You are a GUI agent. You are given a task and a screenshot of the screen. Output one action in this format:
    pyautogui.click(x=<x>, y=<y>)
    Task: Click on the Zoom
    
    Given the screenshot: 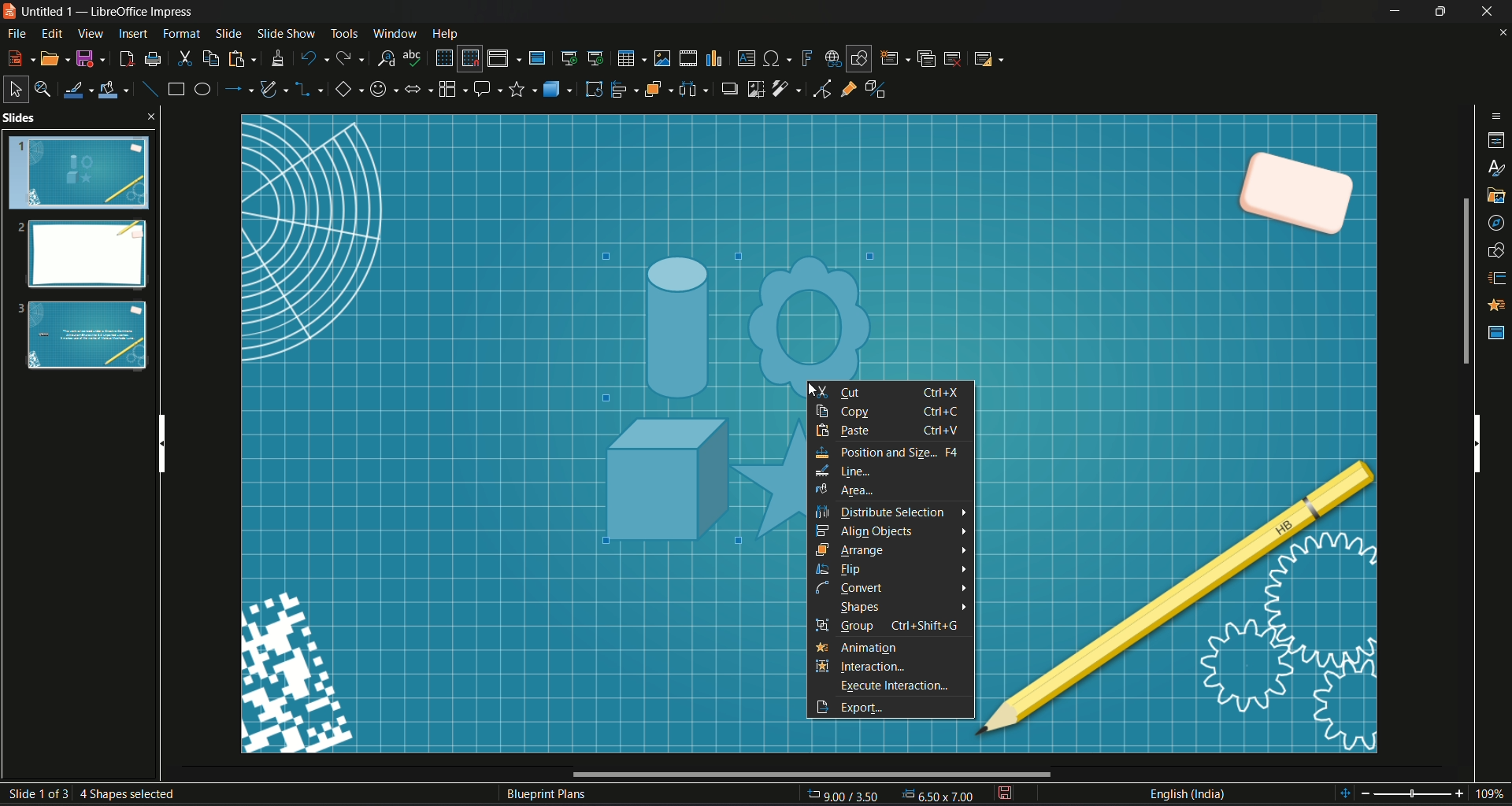 What is the action you would take?
    pyautogui.click(x=1425, y=794)
    